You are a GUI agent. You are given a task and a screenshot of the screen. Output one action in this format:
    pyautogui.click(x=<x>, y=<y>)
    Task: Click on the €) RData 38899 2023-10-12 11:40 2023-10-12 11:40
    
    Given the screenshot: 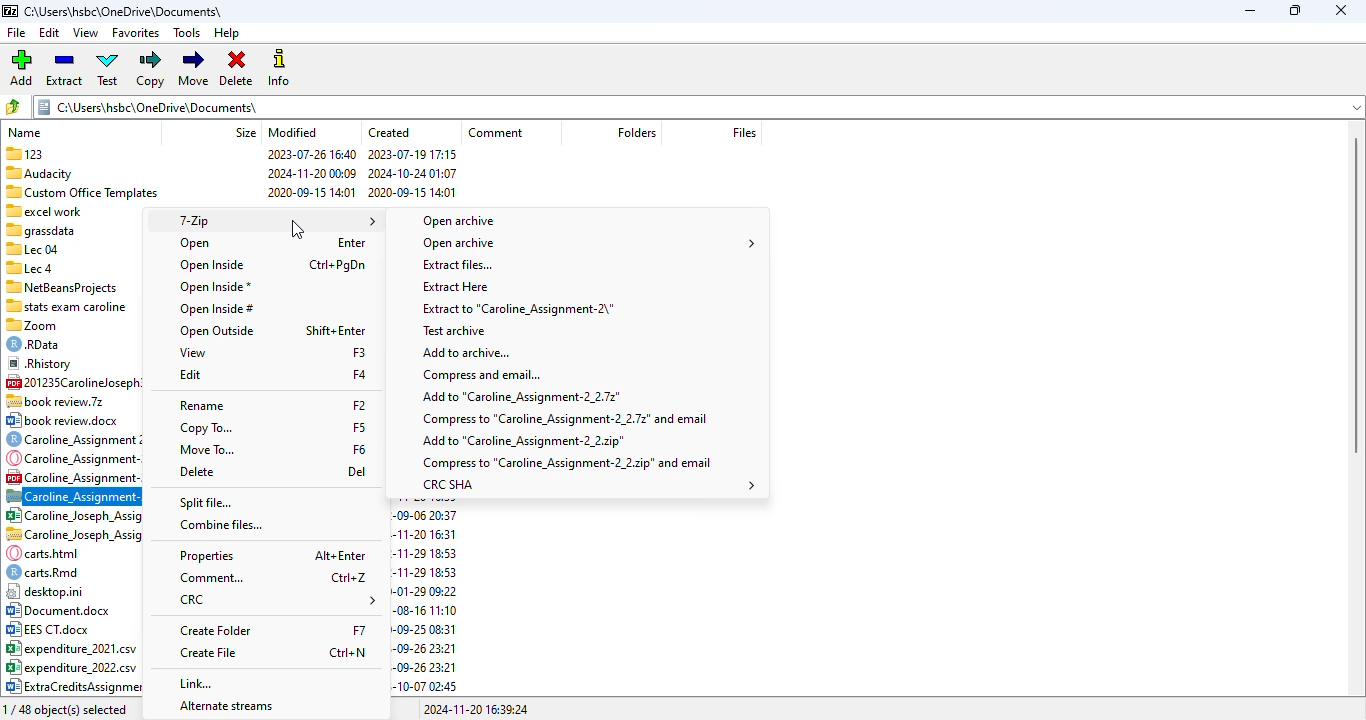 What is the action you would take?
    pyautogui.click(x=70, y=344)
    